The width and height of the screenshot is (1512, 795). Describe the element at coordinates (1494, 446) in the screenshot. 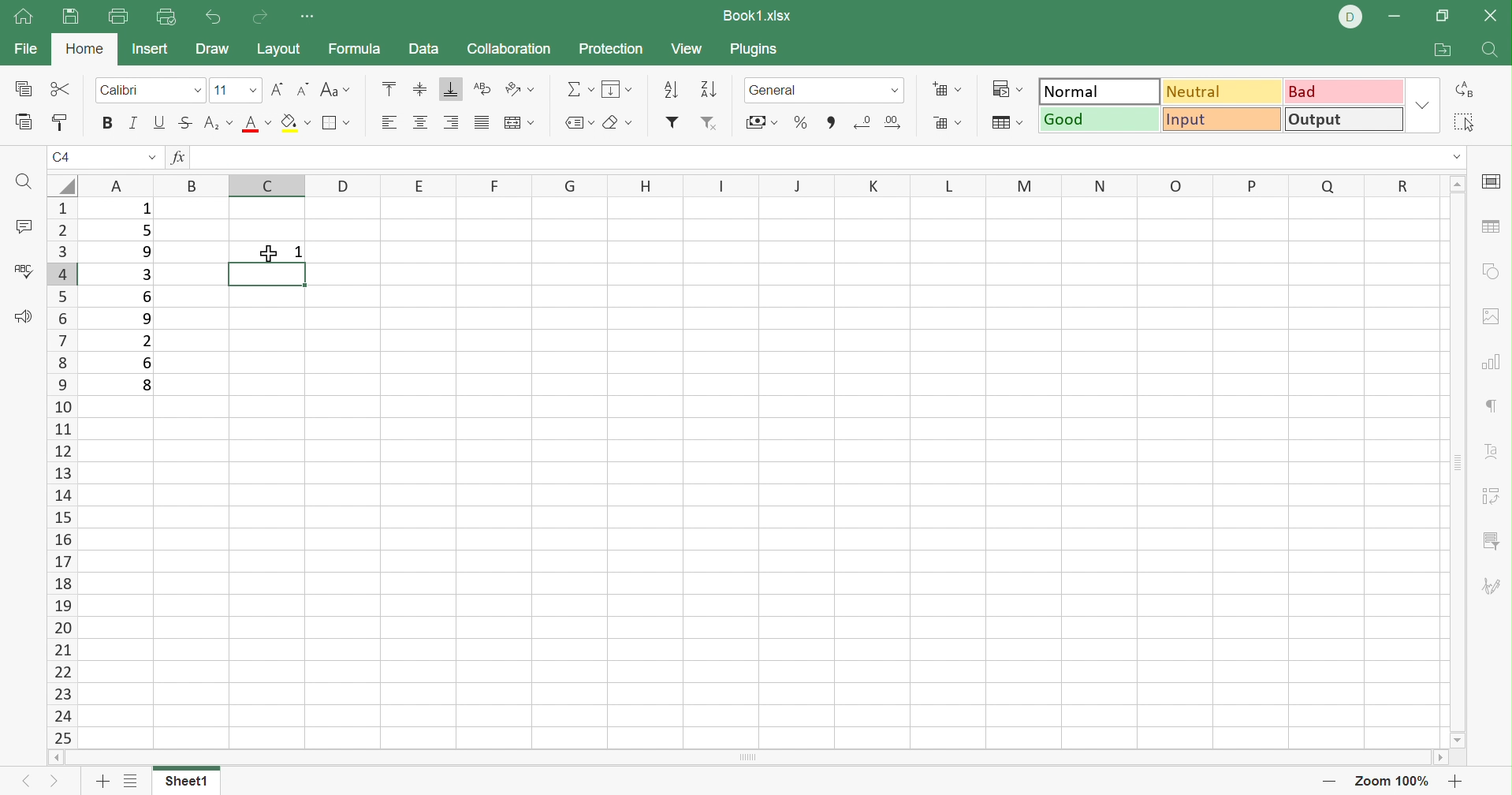

I see `Text Art settings` at that location.